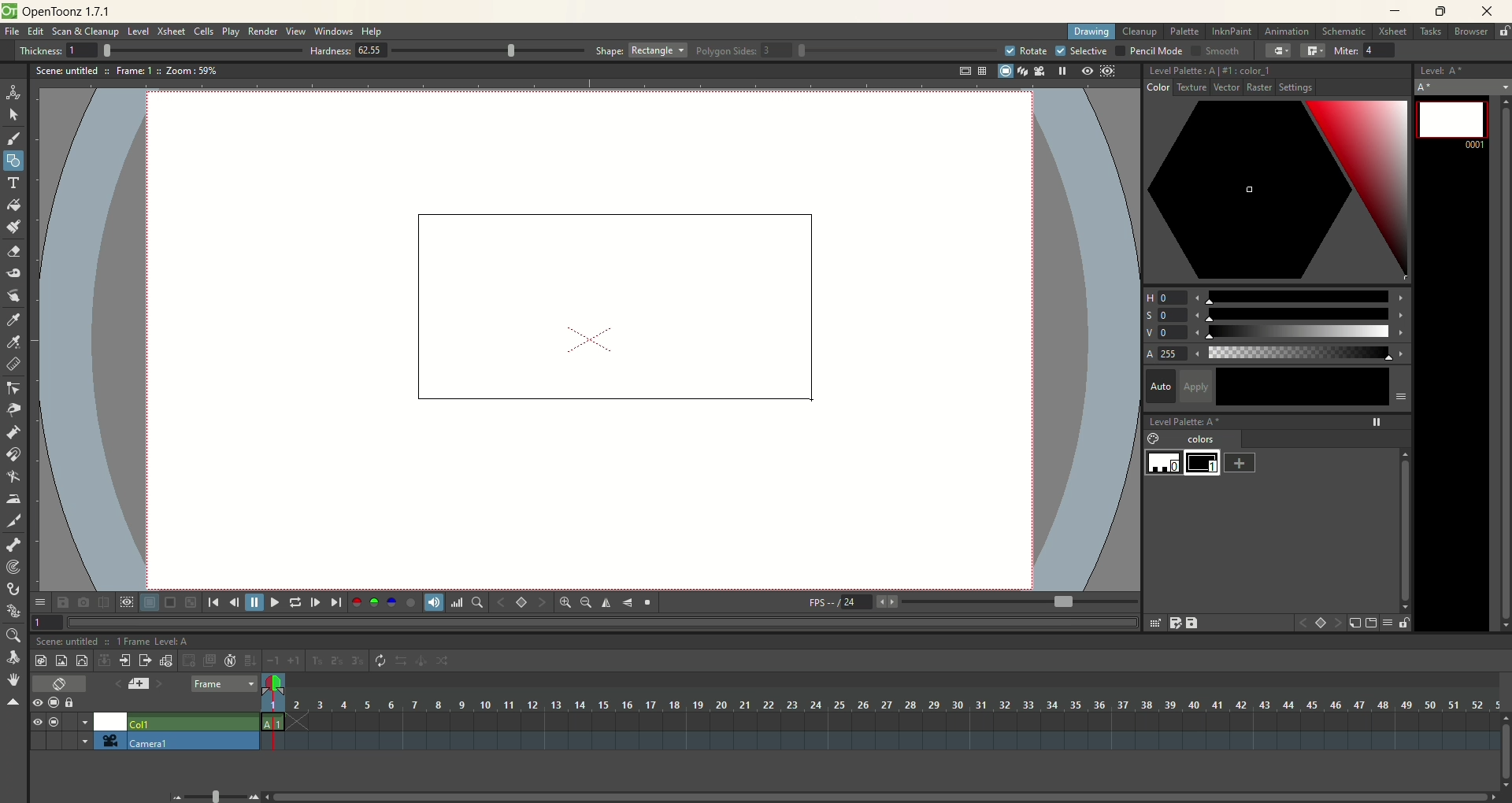 The height and width of the screenshot is (803, 1512). I want to click on histogram, so click(457, 602).